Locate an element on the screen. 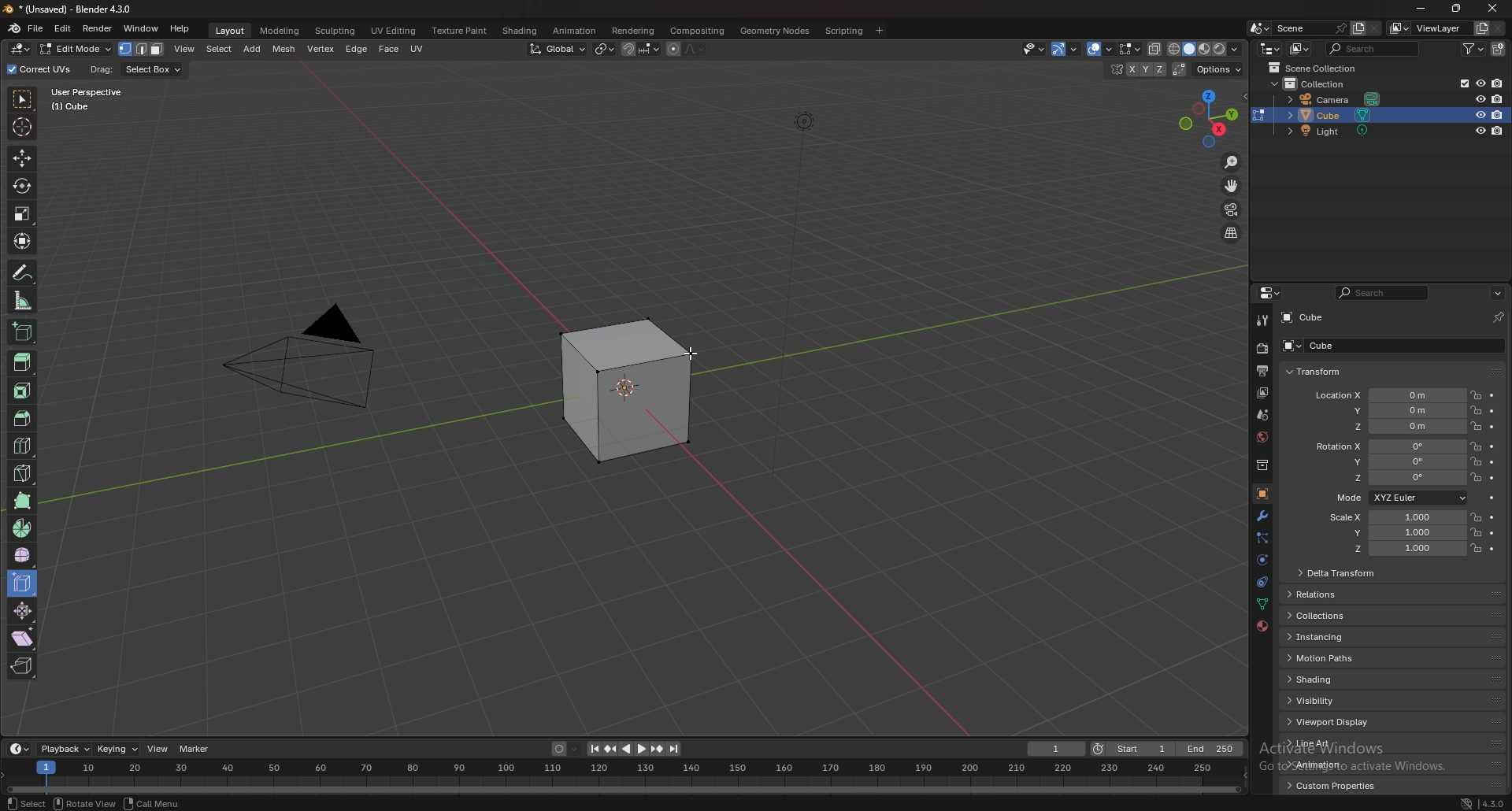  shading is located at coordinates (1323, 680).